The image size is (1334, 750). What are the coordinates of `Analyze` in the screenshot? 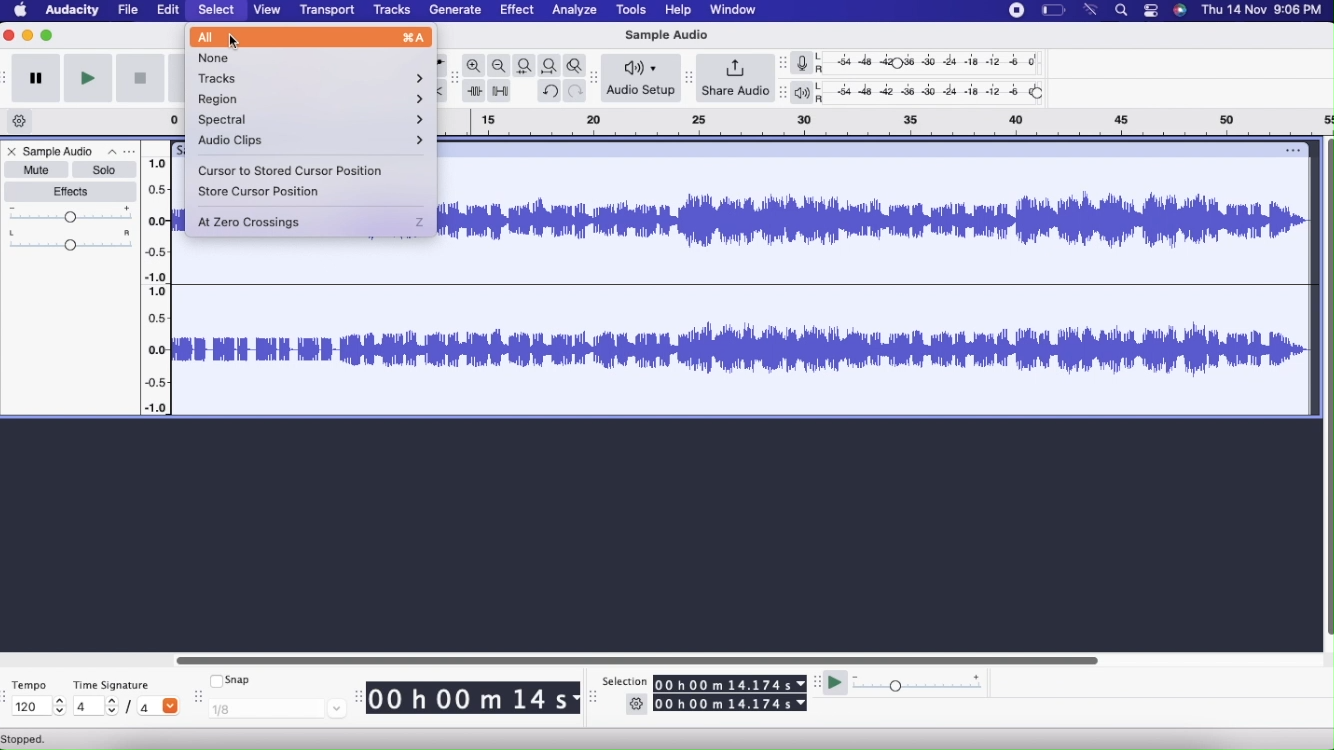 It's located at (576, 10).